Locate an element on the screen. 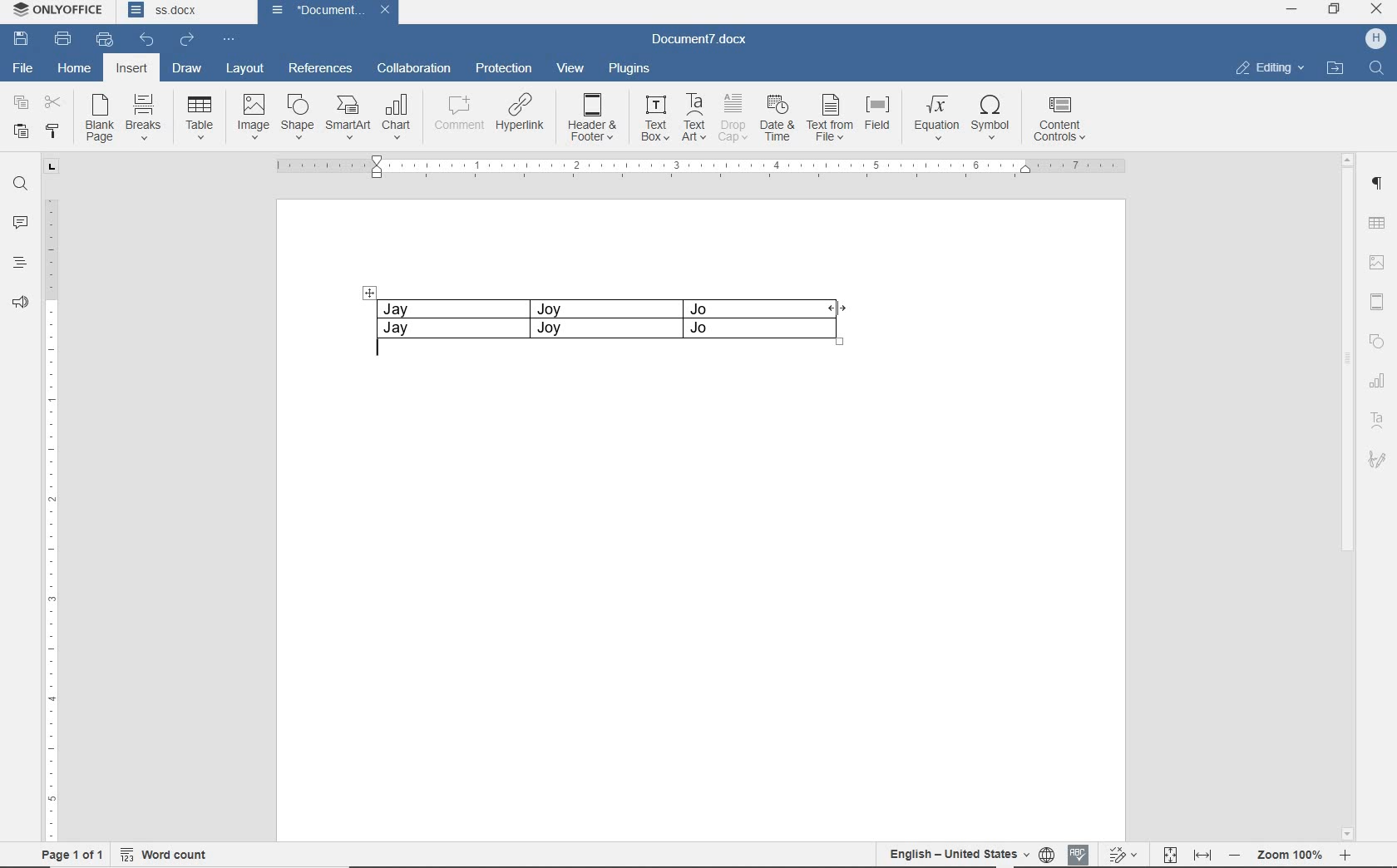  DRAW is located at coordinates (186, 67).